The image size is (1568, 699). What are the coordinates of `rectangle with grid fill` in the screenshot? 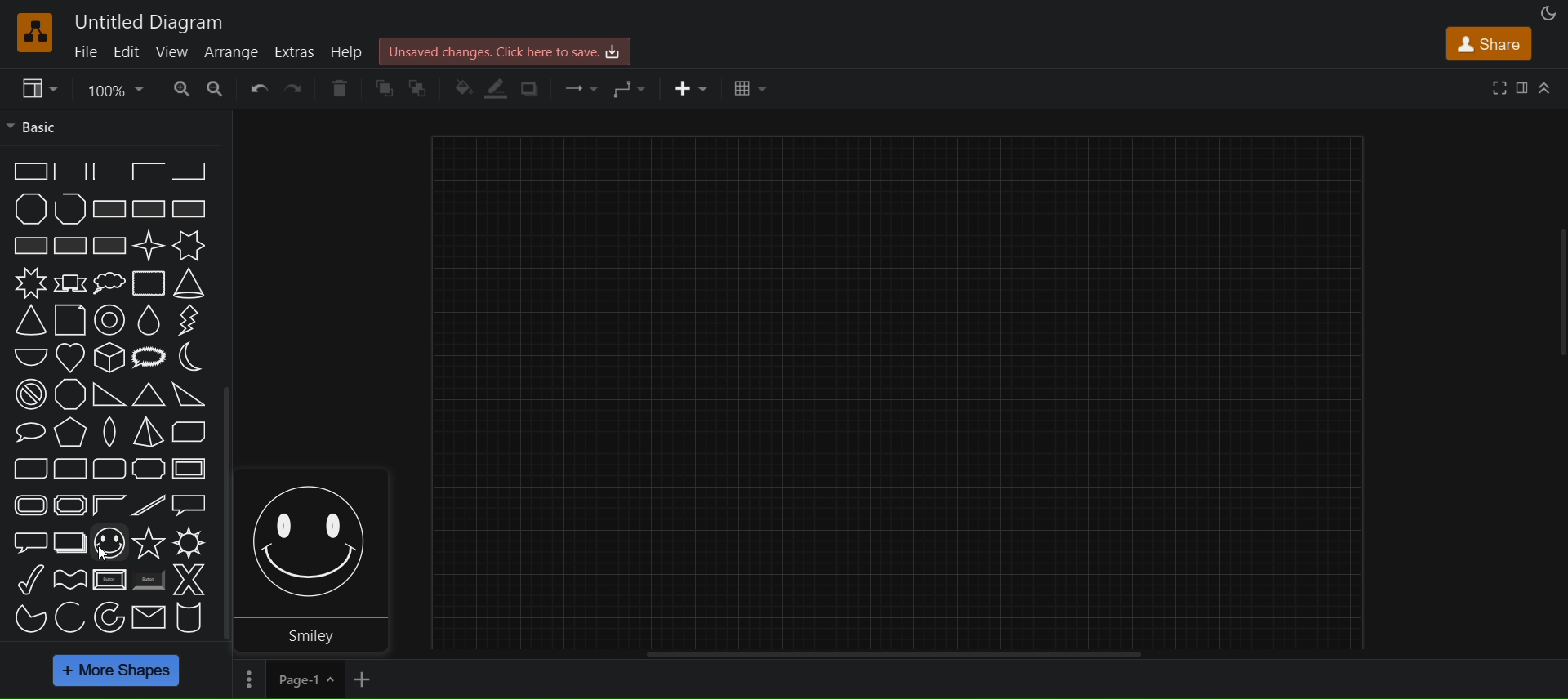 It's located at (72, 247).